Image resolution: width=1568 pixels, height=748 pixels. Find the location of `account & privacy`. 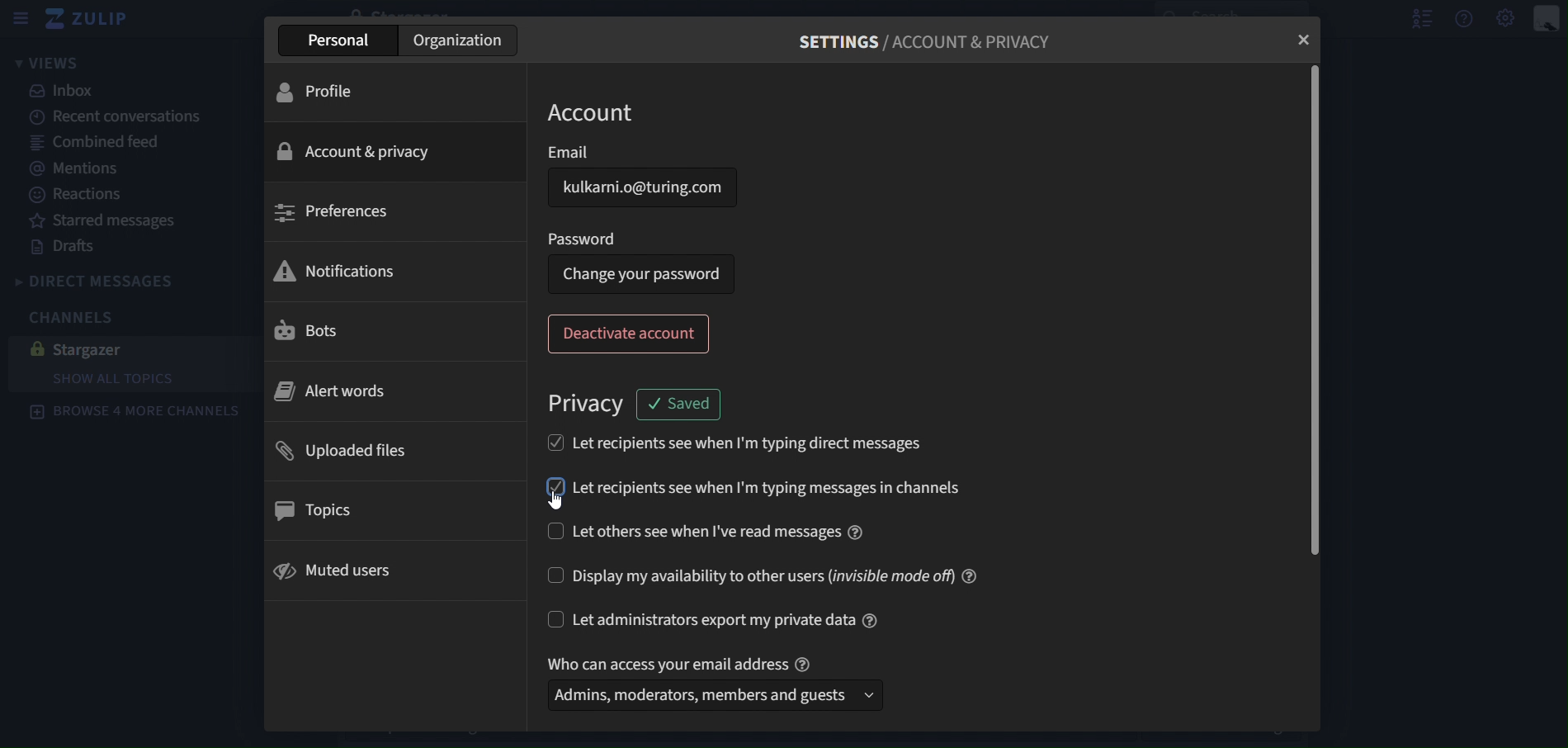

account & privacy is located at coordinates (390, 152).